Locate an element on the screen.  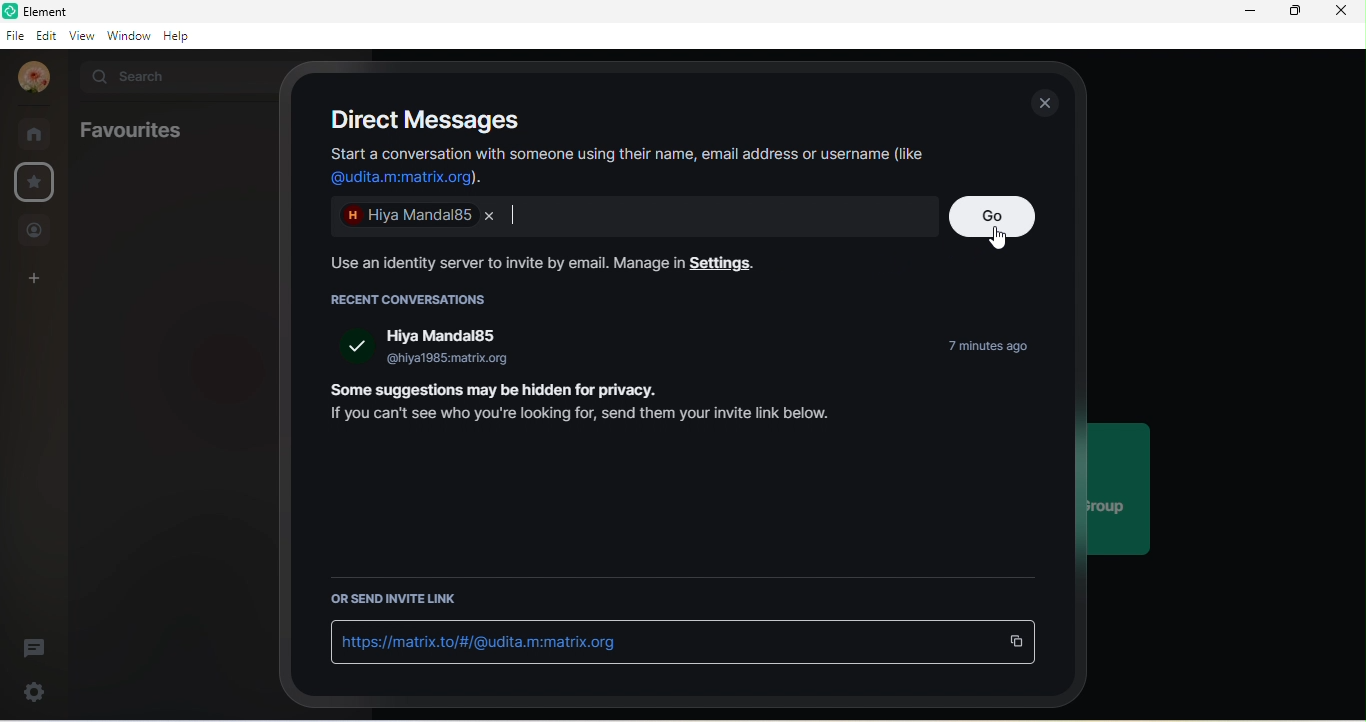
profile photo is located at coordinates (35, 78).